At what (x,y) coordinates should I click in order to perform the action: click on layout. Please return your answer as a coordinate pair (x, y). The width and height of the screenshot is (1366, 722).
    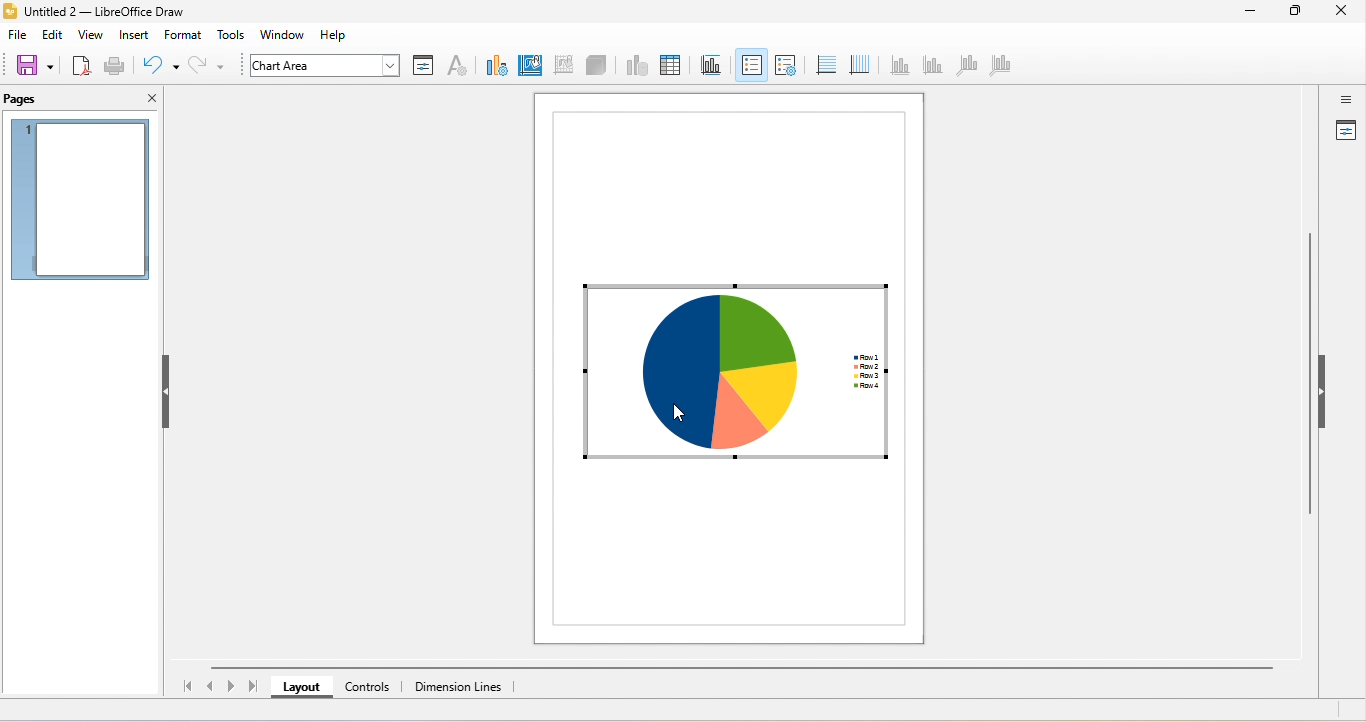
    Looking at the image, I should click on (301, 686).